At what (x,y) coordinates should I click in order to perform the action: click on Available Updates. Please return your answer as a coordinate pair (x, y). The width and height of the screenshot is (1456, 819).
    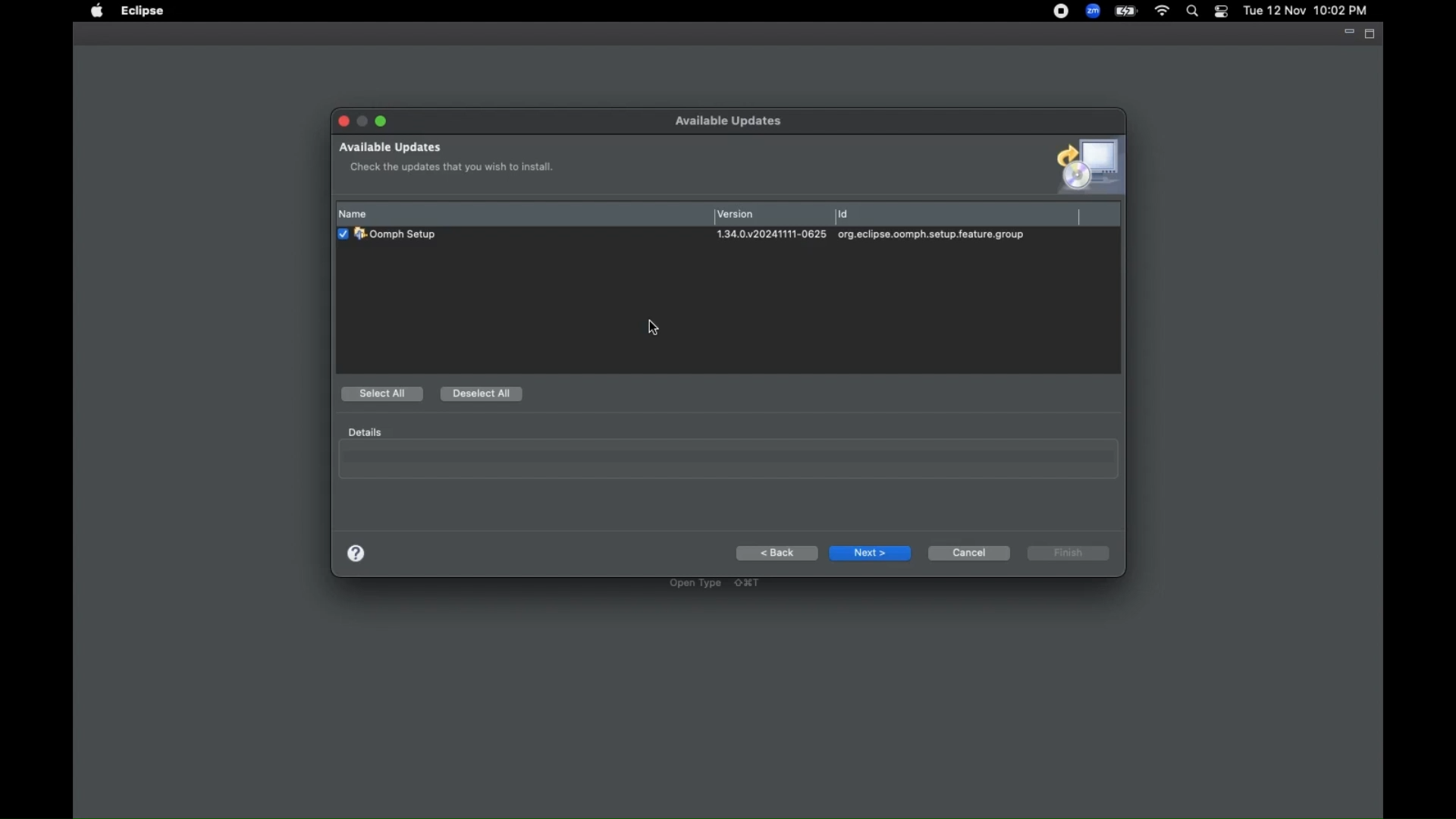
    Looking at the image, I should click on (734, 121).